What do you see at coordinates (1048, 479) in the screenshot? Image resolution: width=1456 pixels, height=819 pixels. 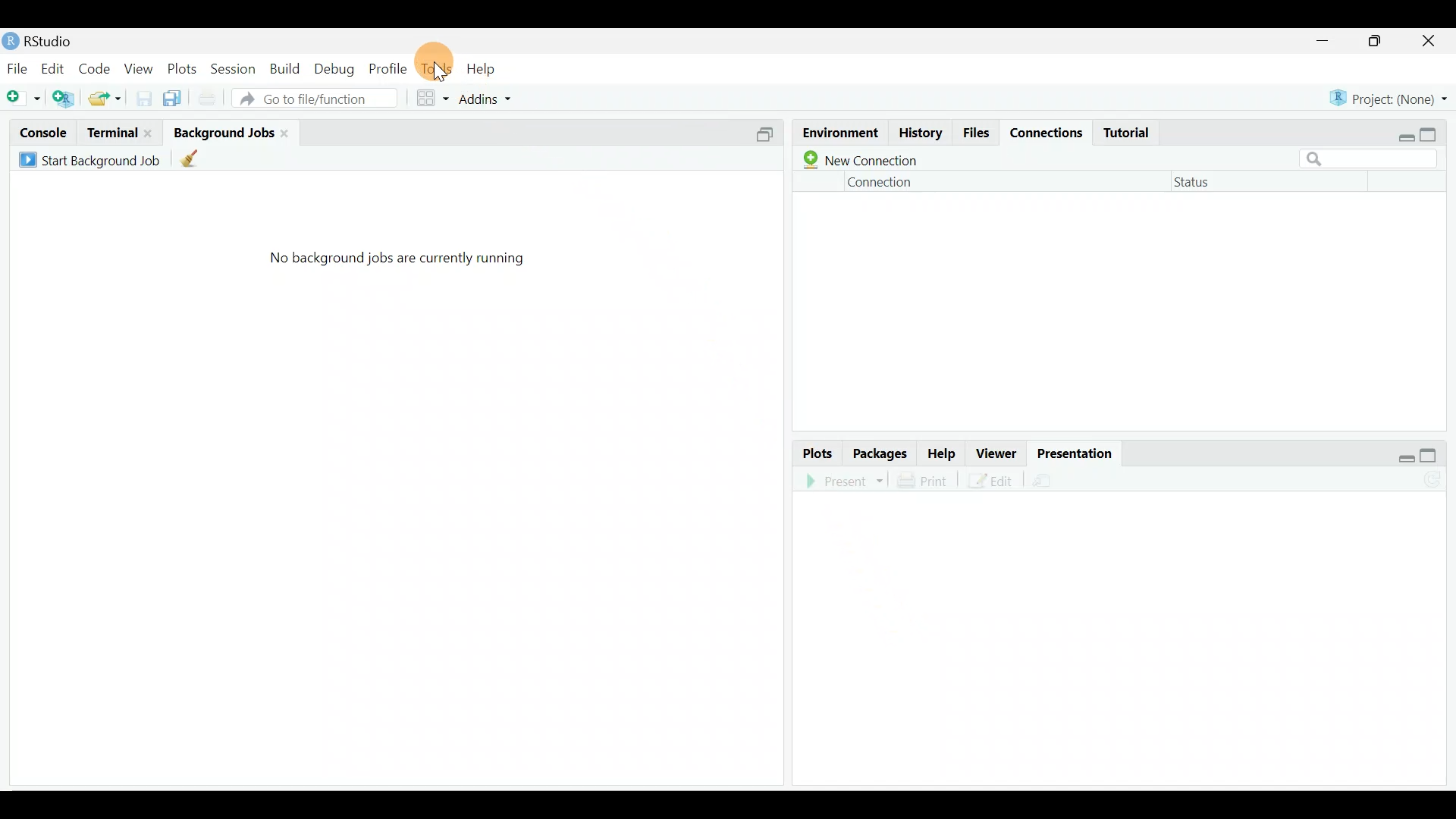 I see `Present in an external web browser` at bounding box center [1048, 479].